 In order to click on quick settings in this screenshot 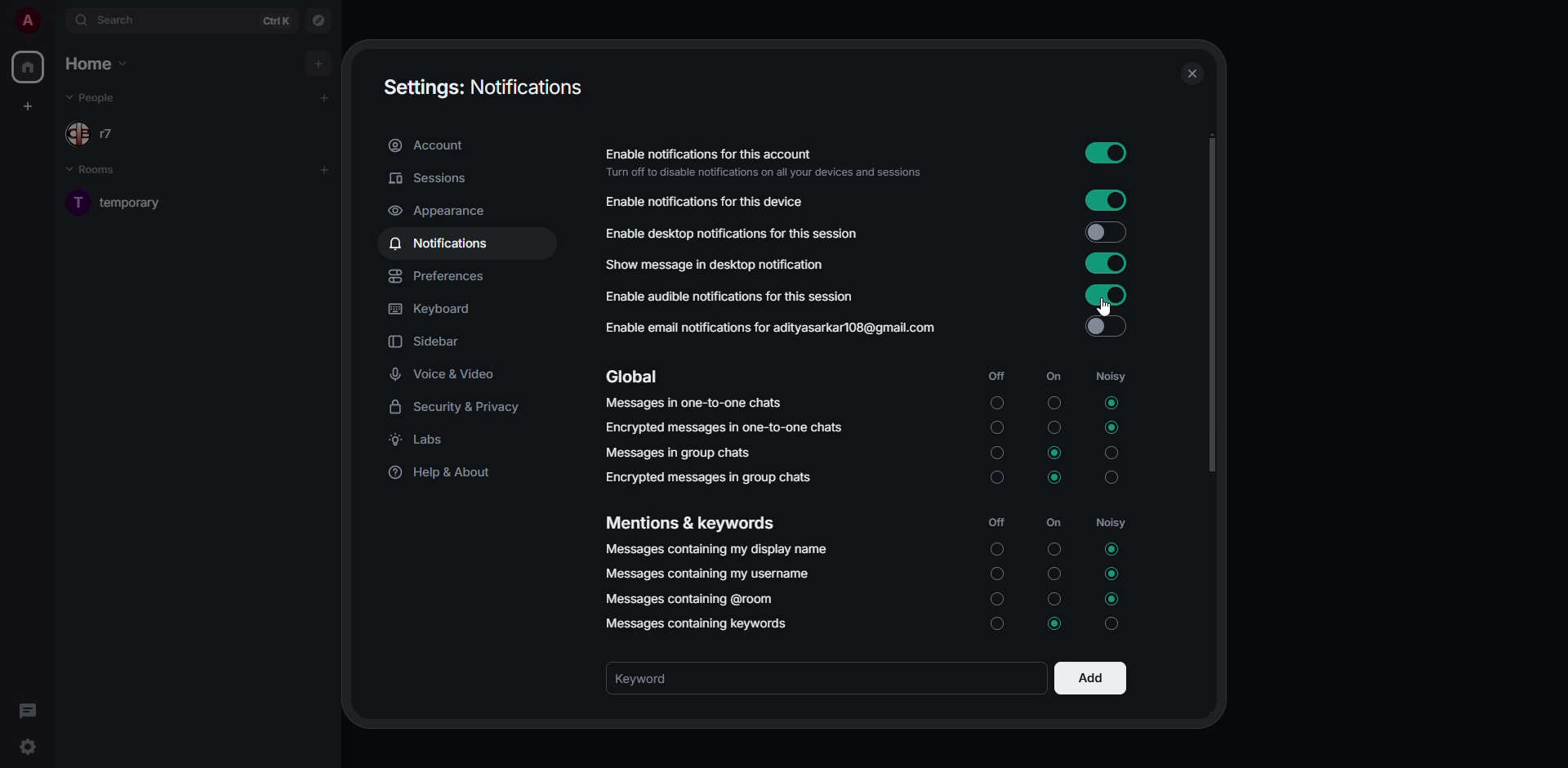, I will do `click(28, 746)`.